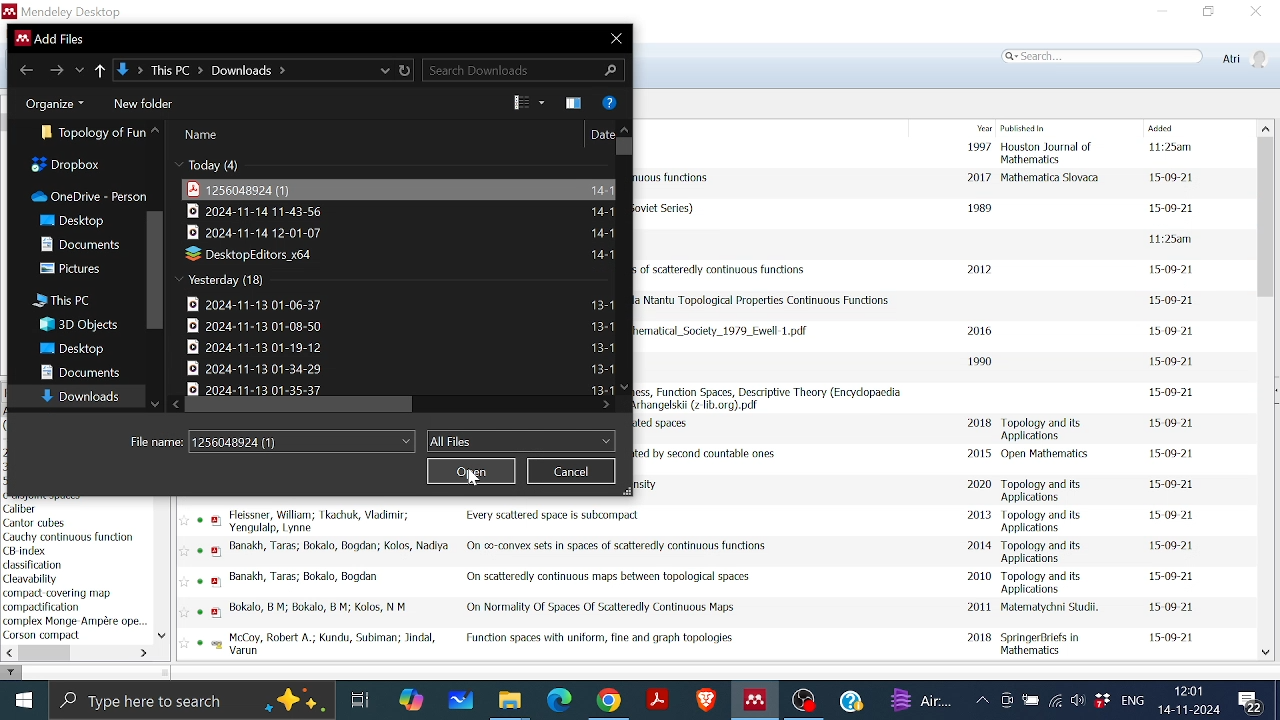 This screenshot has height=720, width=1280. Describe the element at coordinates (708, 700) in the screenshot. I see `Brave browser` at that location.